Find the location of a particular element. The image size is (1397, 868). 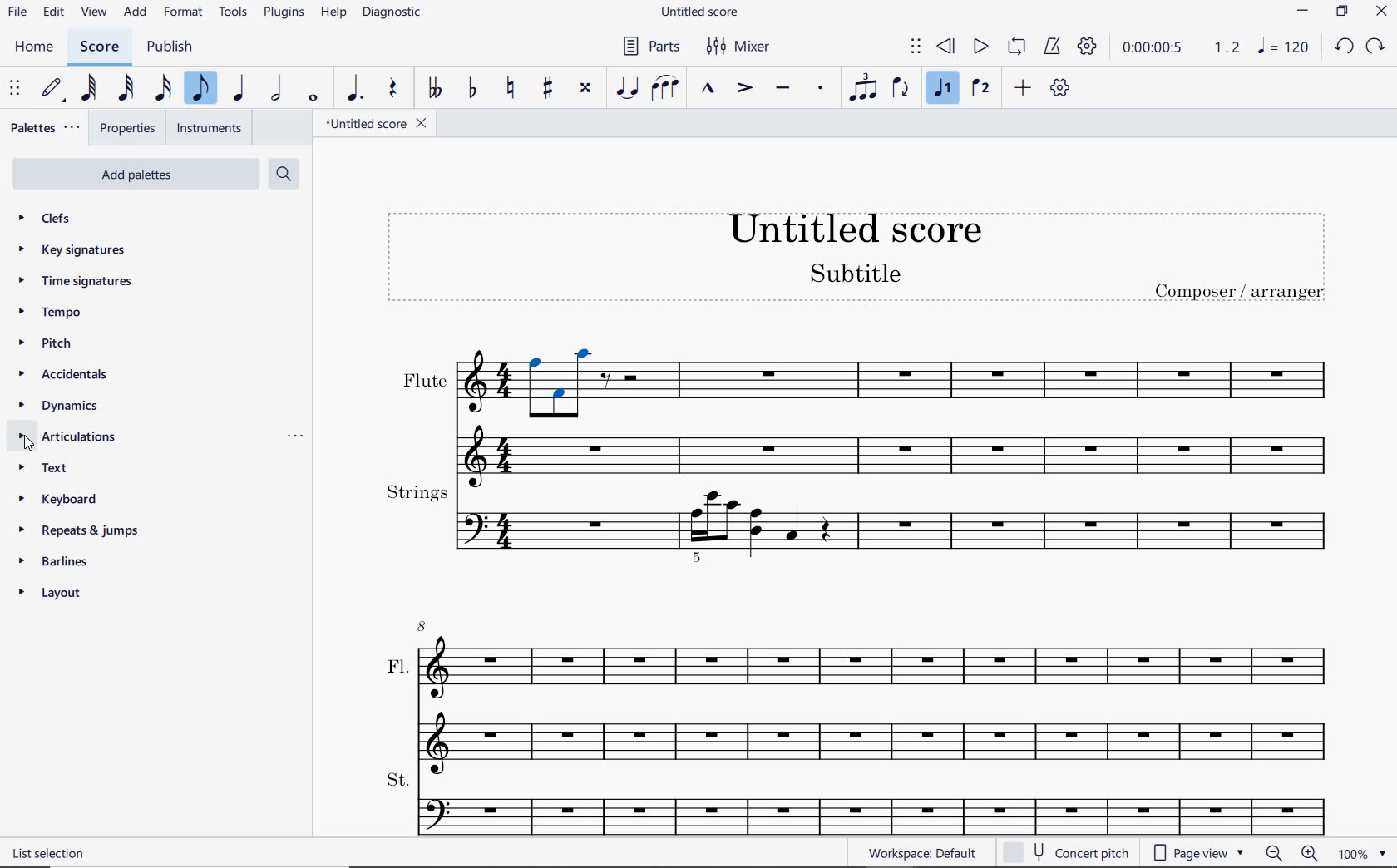

TOOLS is located at coordinates (234, 13).